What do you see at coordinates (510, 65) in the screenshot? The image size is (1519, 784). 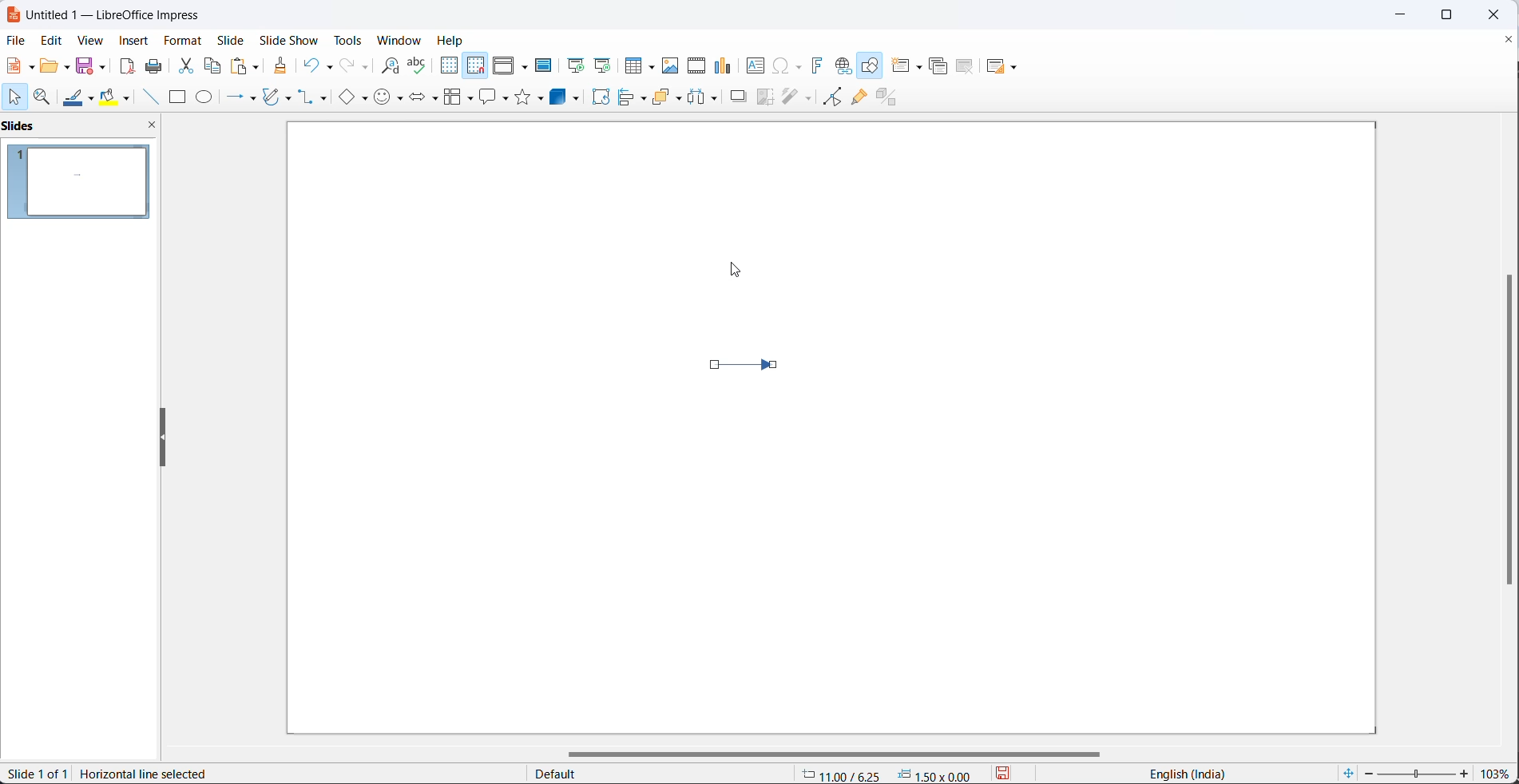 I see `display view` at bounding box center [510, 65].